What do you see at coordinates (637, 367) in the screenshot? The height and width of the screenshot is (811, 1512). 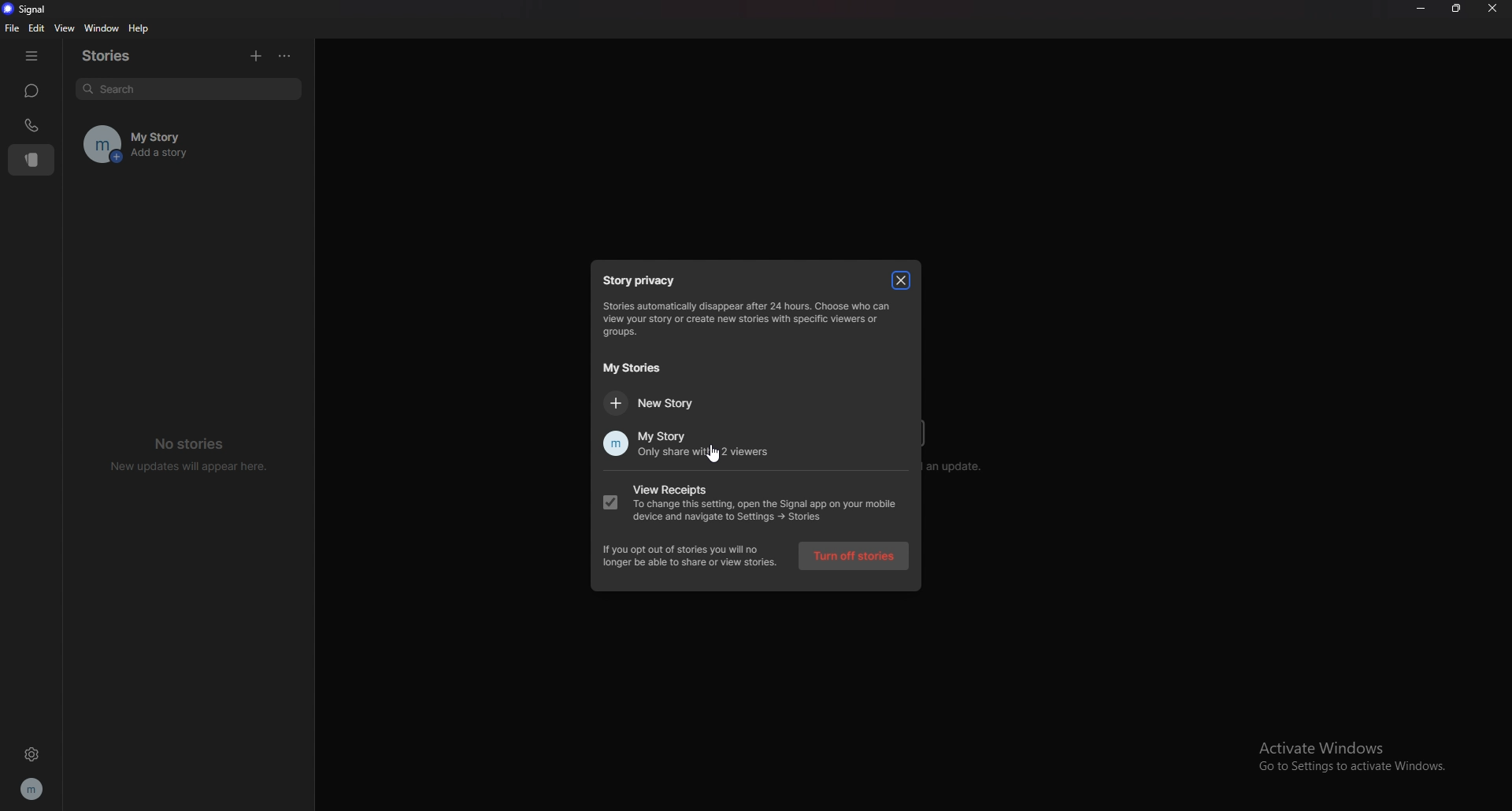 I see `my stories` at bounding box center [637, 367].